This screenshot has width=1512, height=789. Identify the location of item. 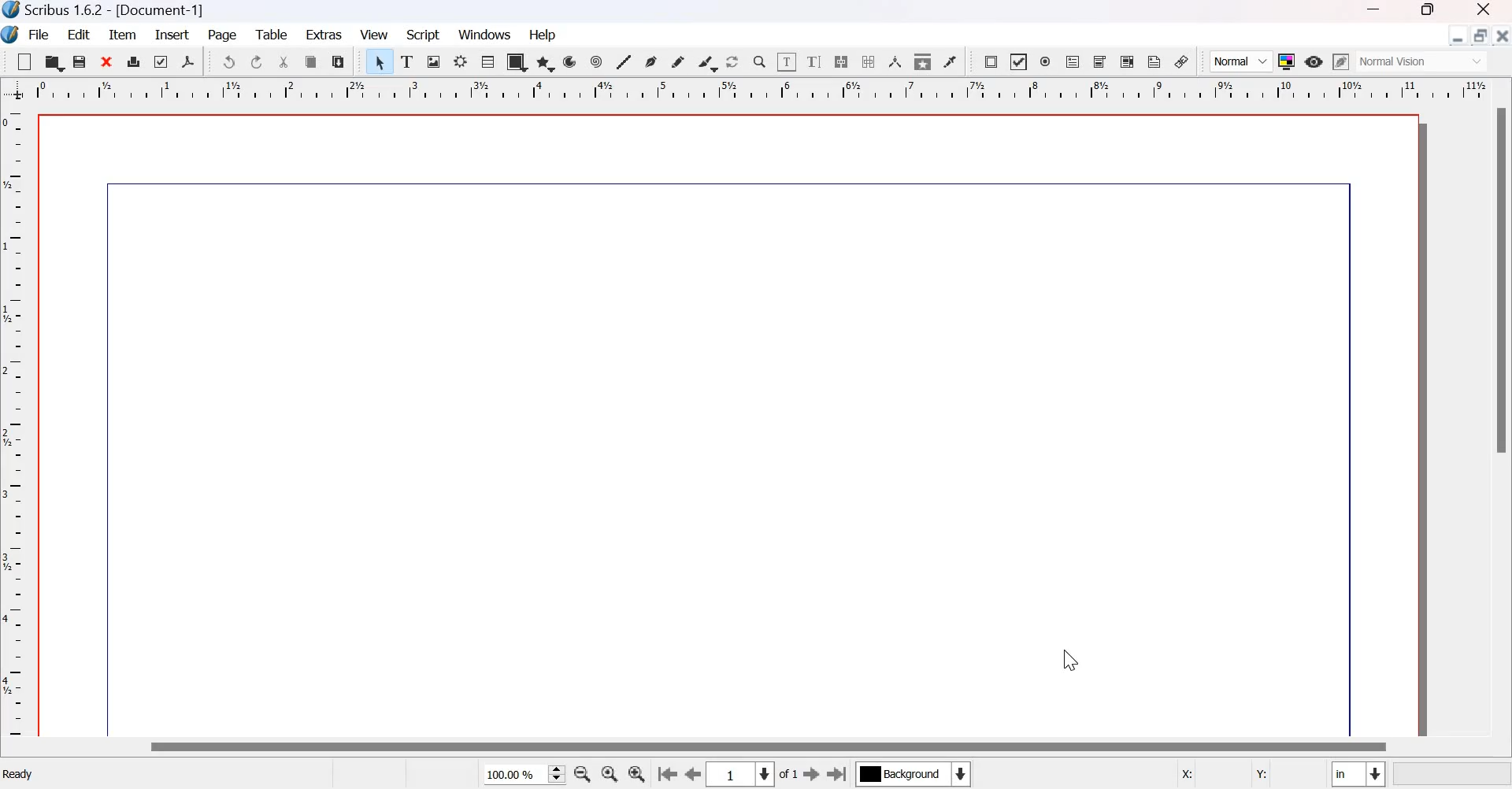
(123, 34).